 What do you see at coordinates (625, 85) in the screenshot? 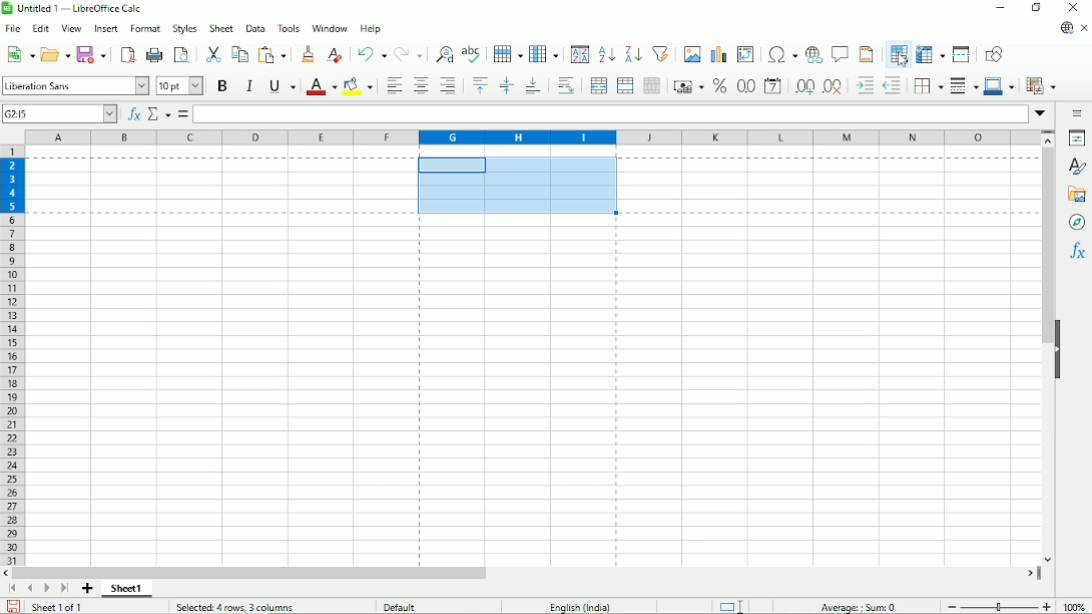
I see `Merge cells` at bounding box center [625, 85].